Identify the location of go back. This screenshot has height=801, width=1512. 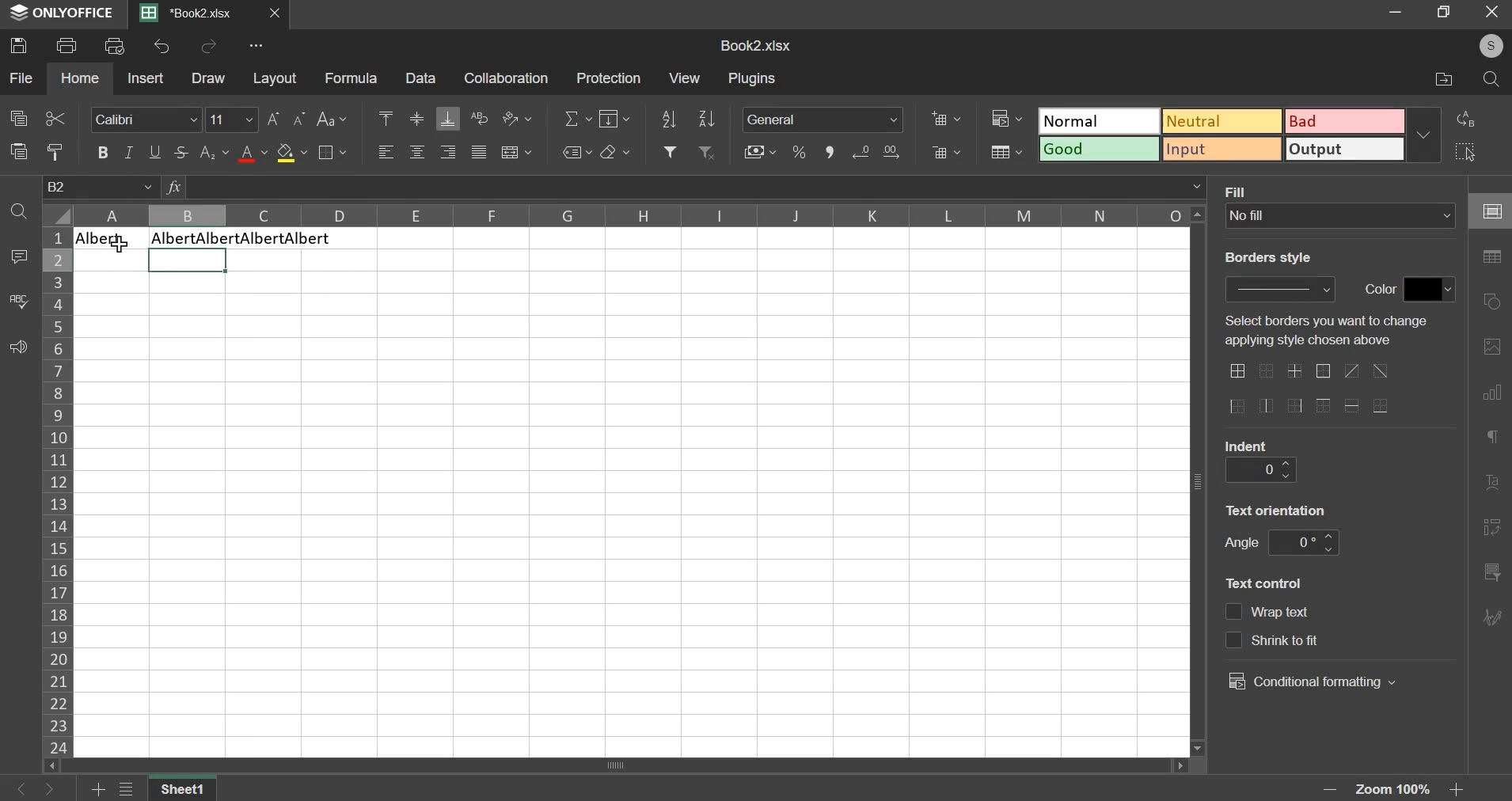
(18, 789).